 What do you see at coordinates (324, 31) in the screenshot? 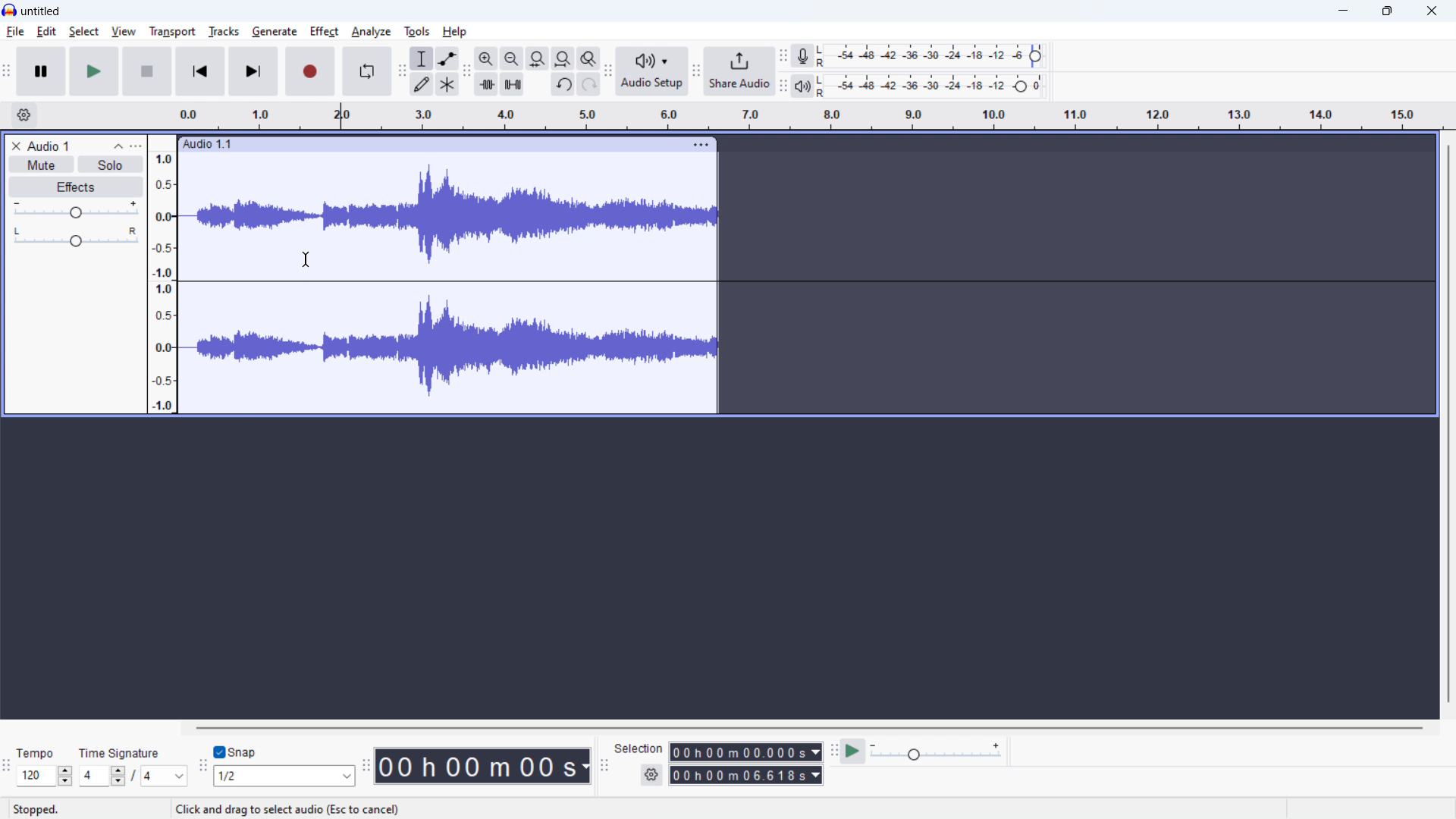
I see `effect` at bounding box center [324, 31].